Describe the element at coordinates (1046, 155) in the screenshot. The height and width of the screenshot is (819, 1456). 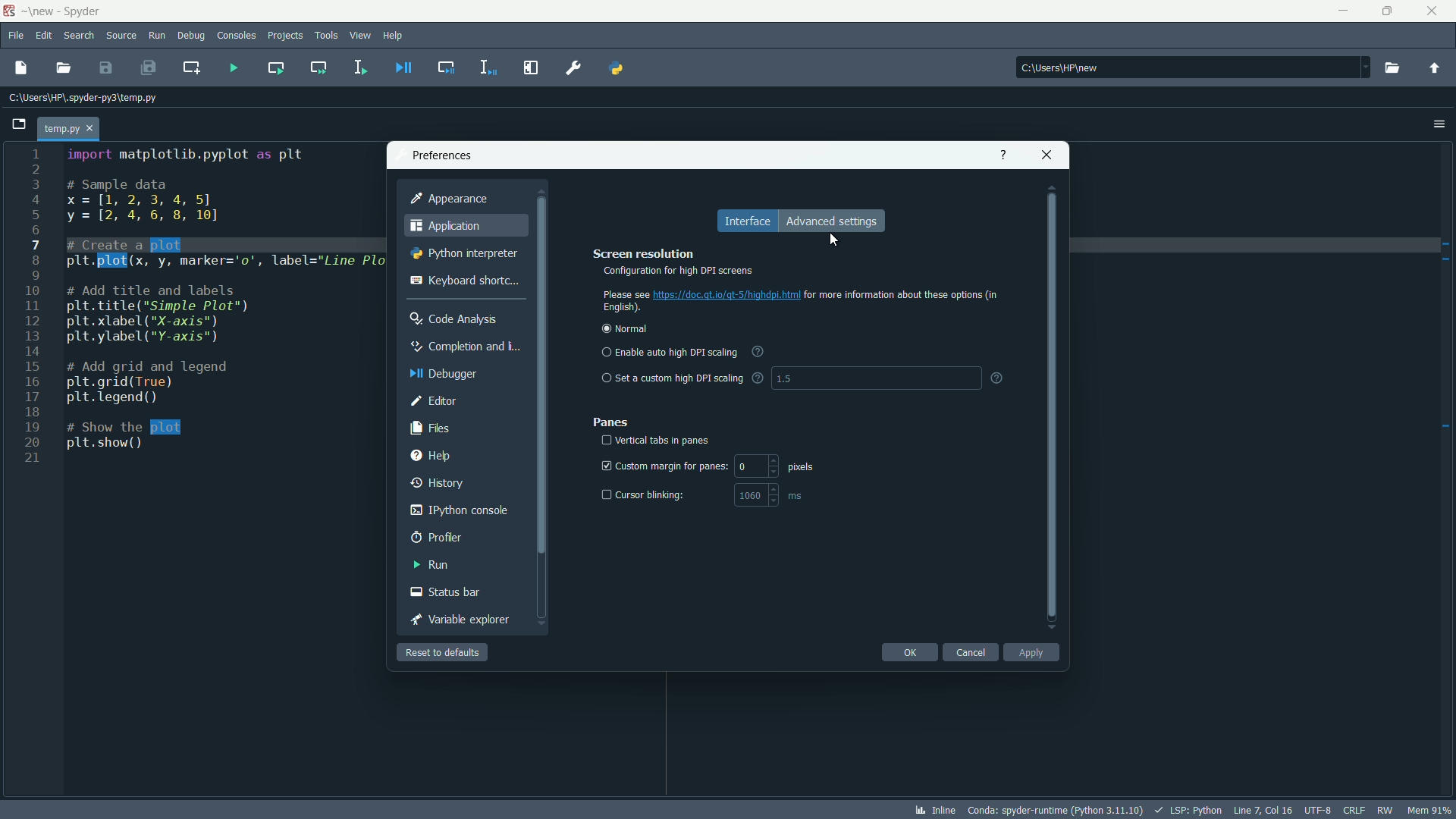
I see `close` at that location.